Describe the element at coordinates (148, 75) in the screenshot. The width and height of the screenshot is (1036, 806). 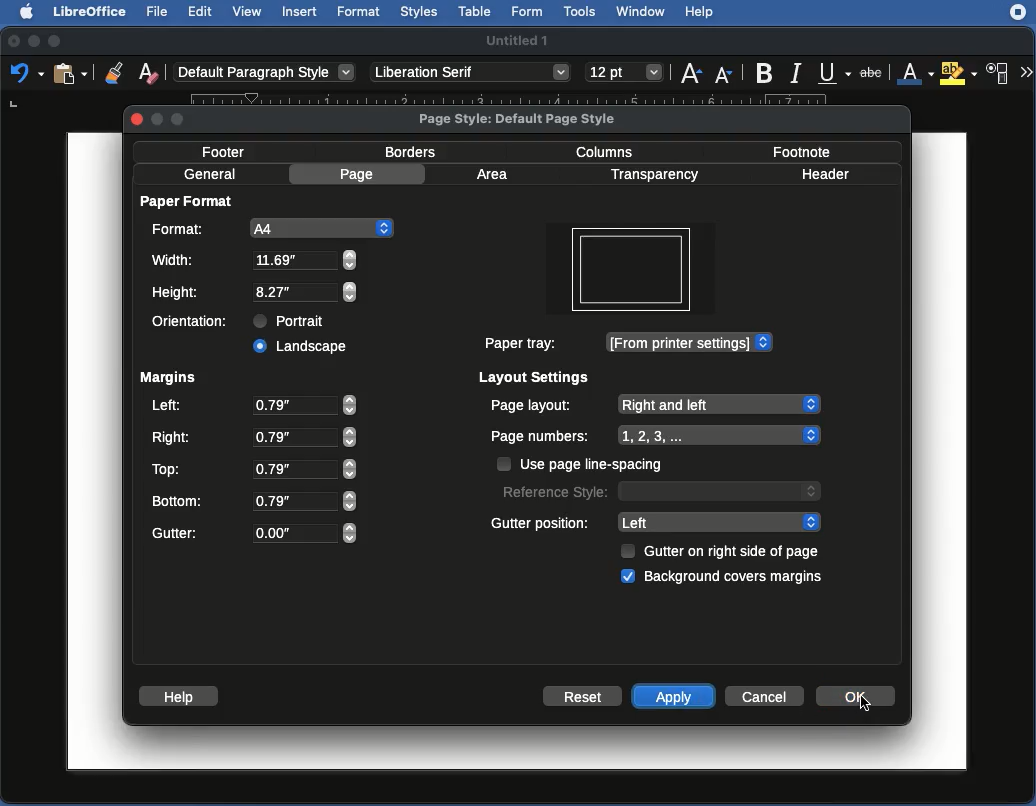
I see `Clear formatting ` at that location.